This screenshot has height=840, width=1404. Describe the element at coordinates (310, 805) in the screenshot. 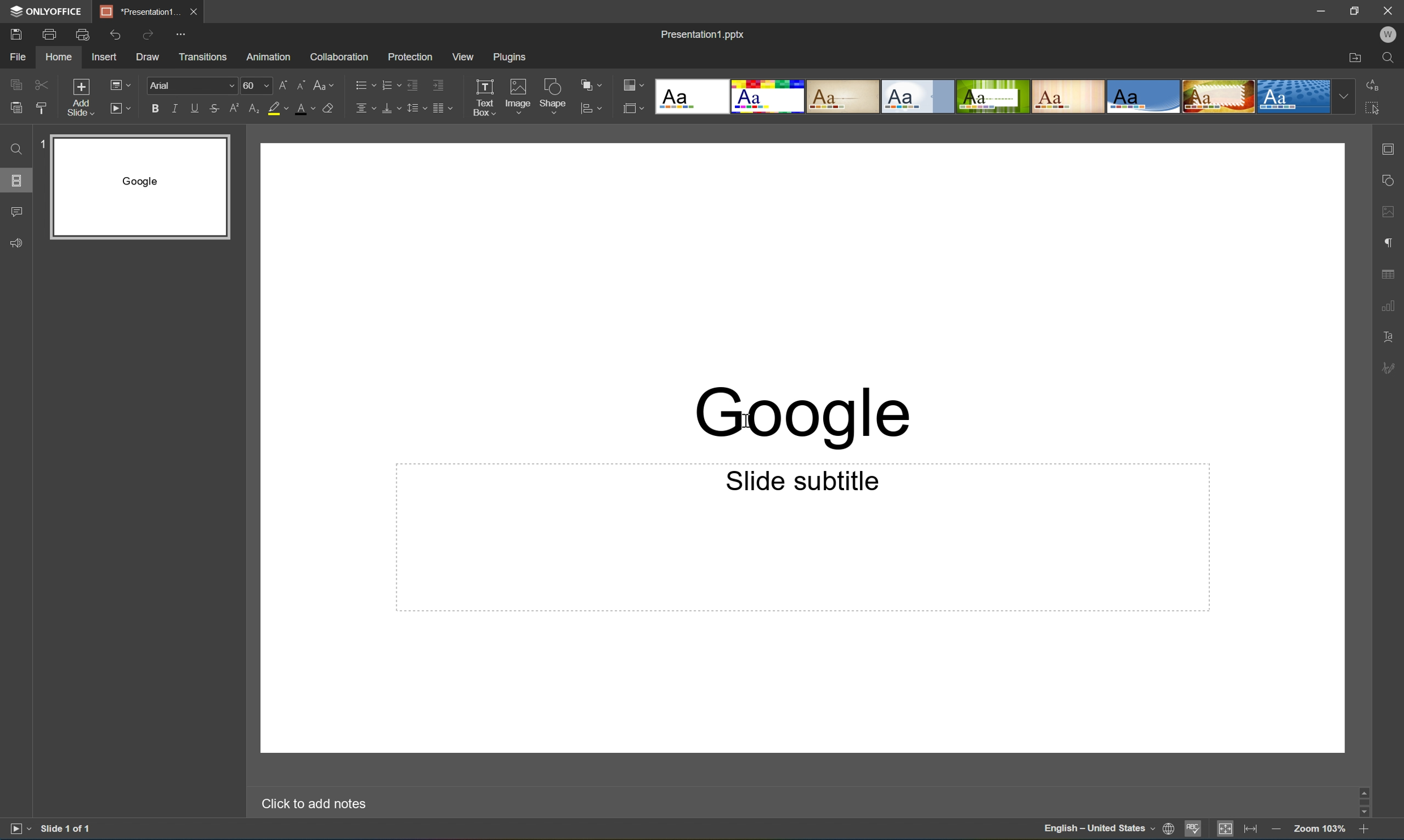

I see `Click to add notes` at that location.